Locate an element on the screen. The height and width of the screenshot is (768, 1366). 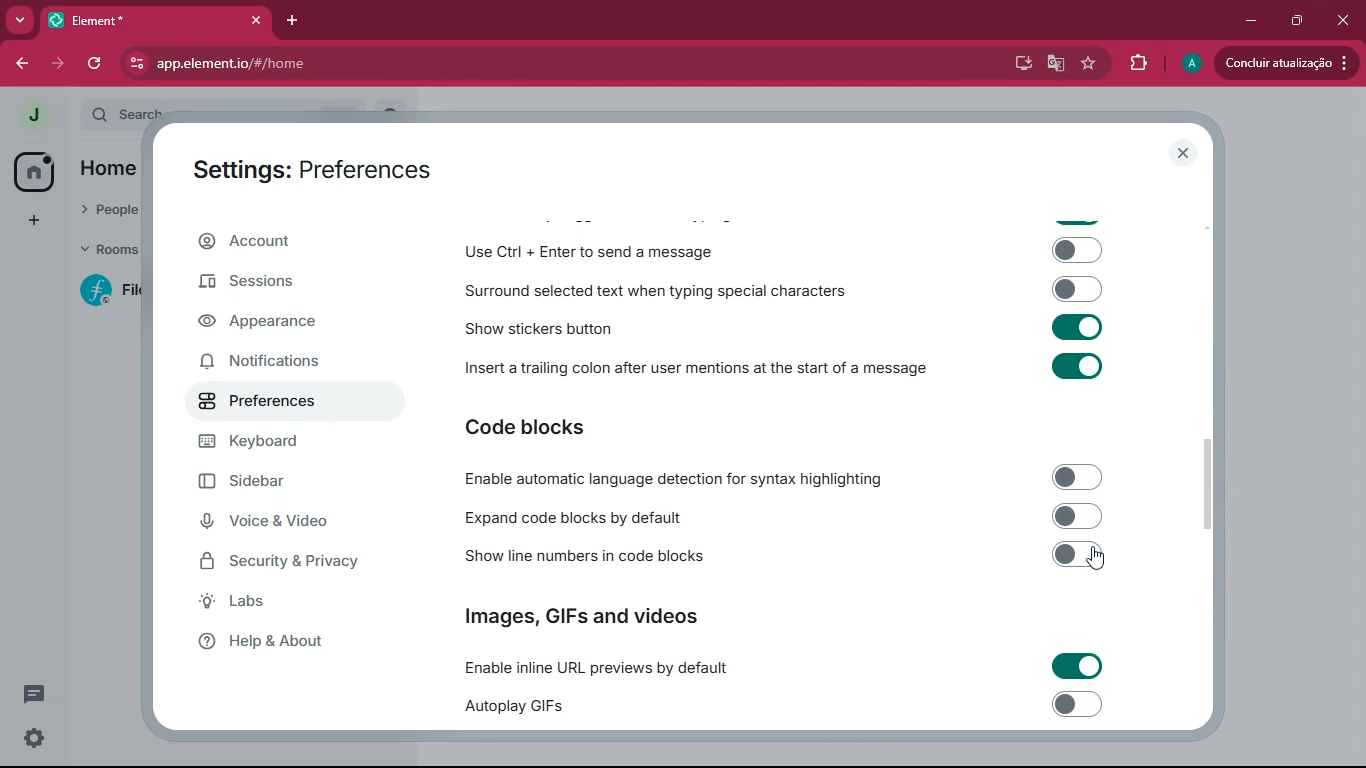
voice & video is located at coordinates (281, 524).